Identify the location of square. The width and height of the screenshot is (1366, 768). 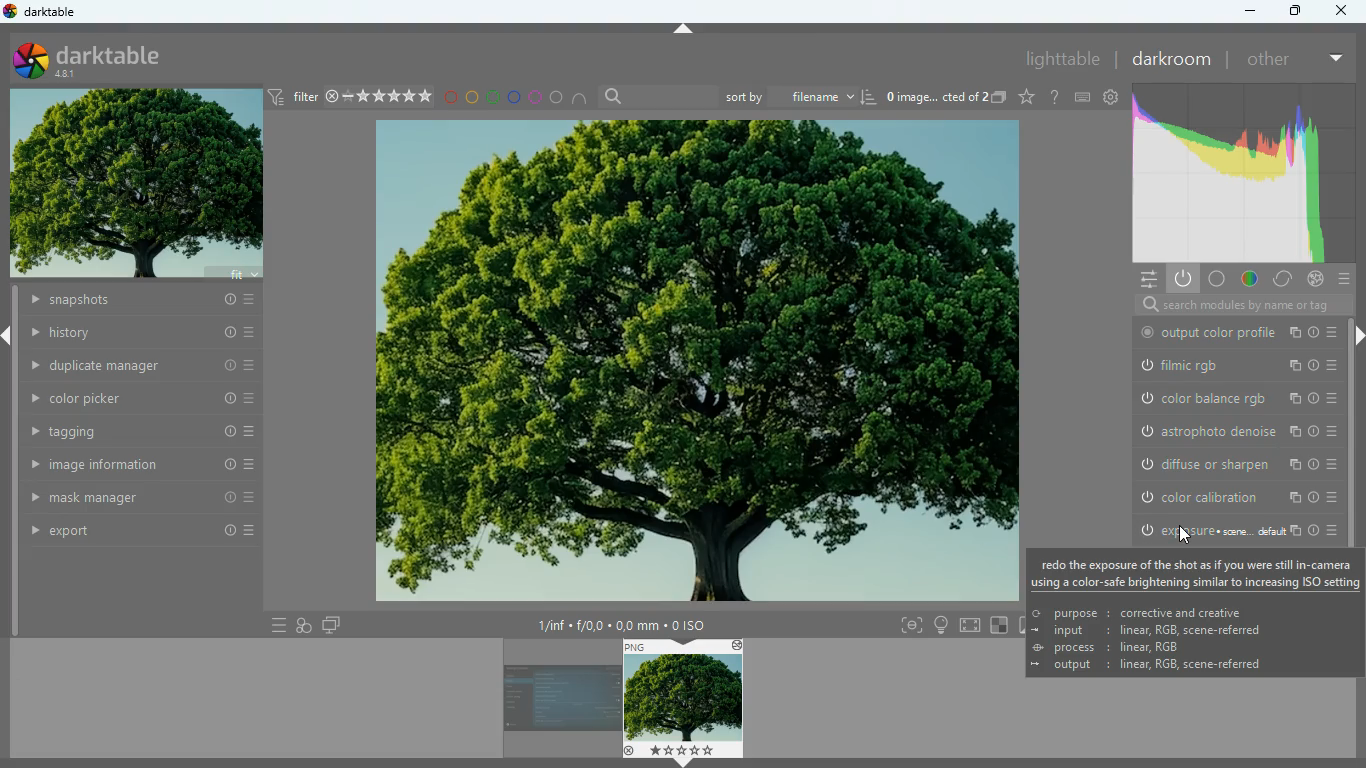
(1000, 624).